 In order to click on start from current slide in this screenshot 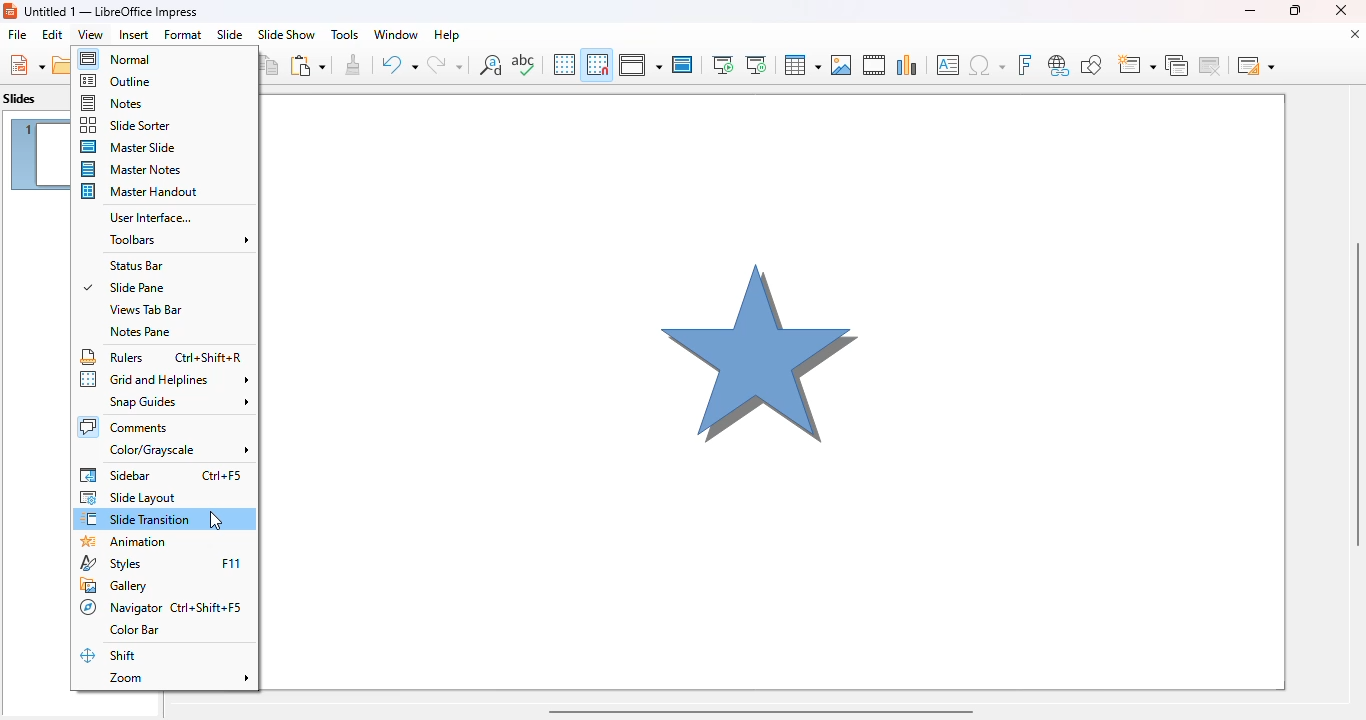, I will do `click(756, 65)`.